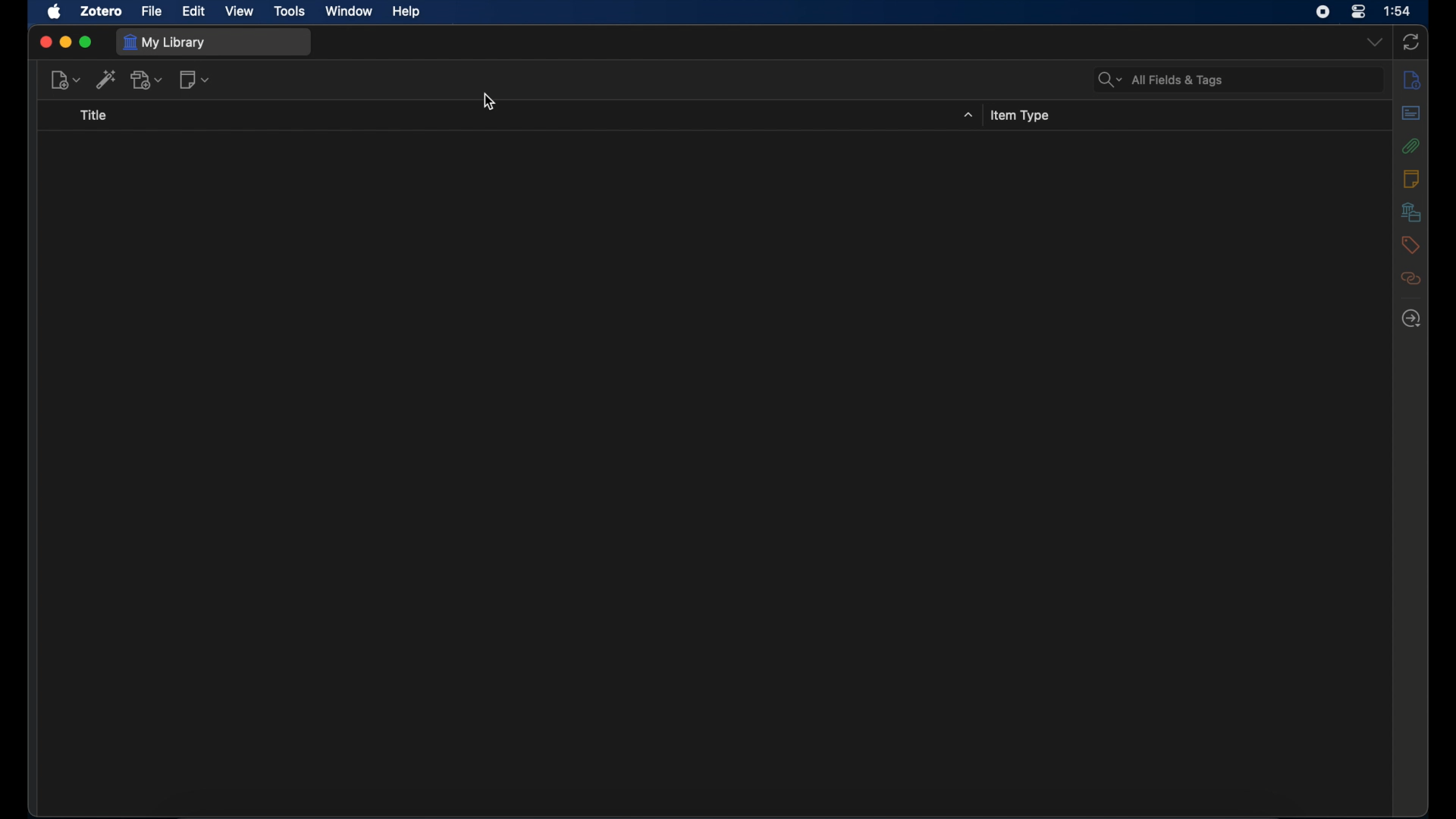 The height and width of the screenshot is (819, 1456). What do you see at coordinates (1323, 12) in the screenshot?
I see `screen recorder` at bounding box center [1323, 12].